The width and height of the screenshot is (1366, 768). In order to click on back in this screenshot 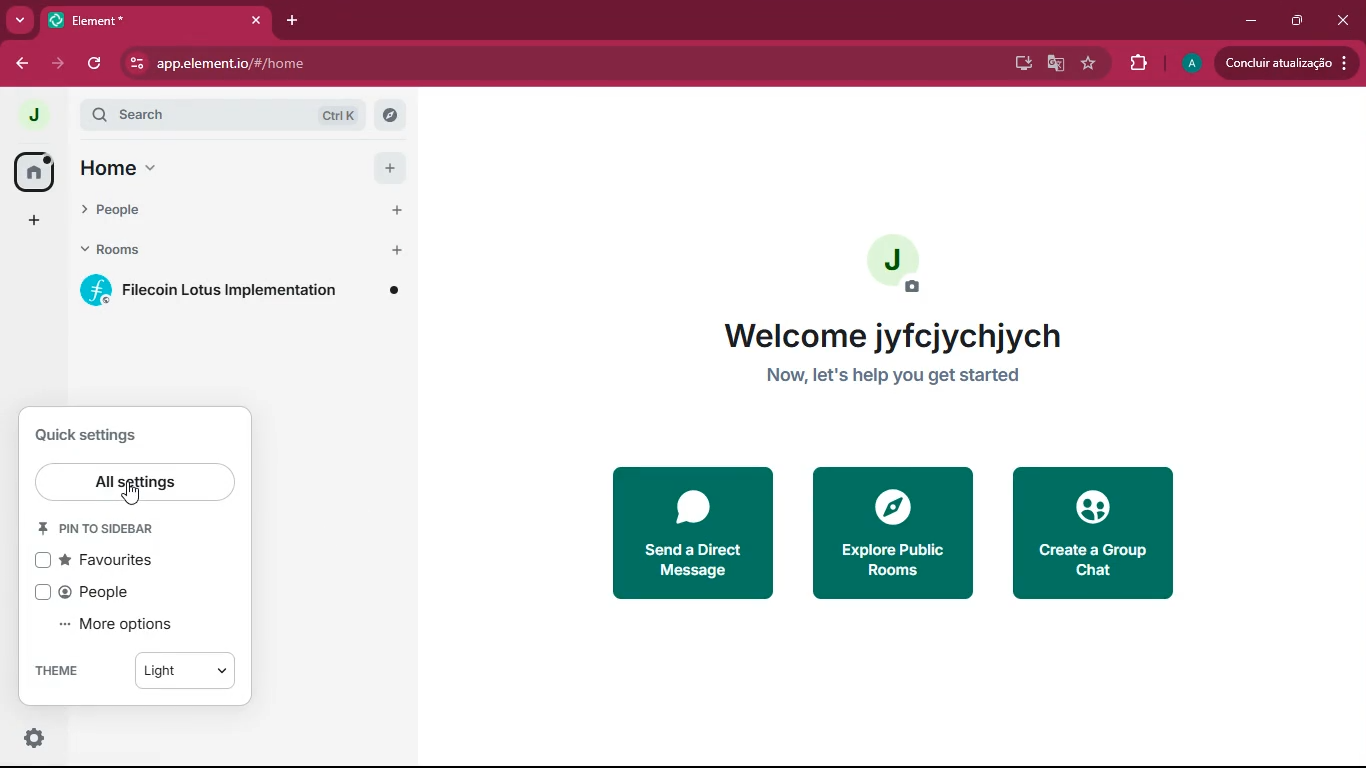, I will do `click(23, 63)`.